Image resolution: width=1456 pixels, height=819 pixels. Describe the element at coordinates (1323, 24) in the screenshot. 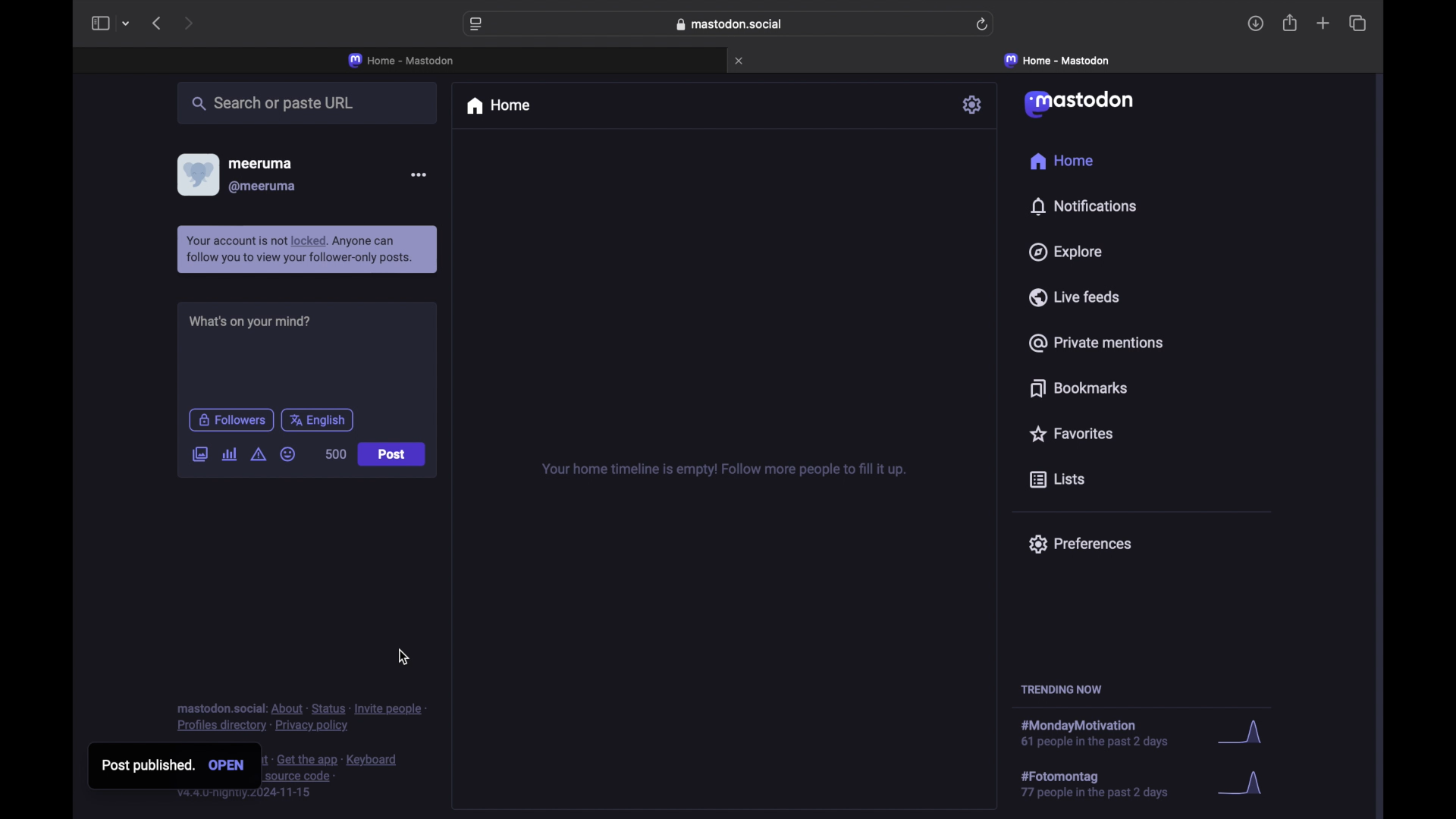

I see `new tab` at that location.